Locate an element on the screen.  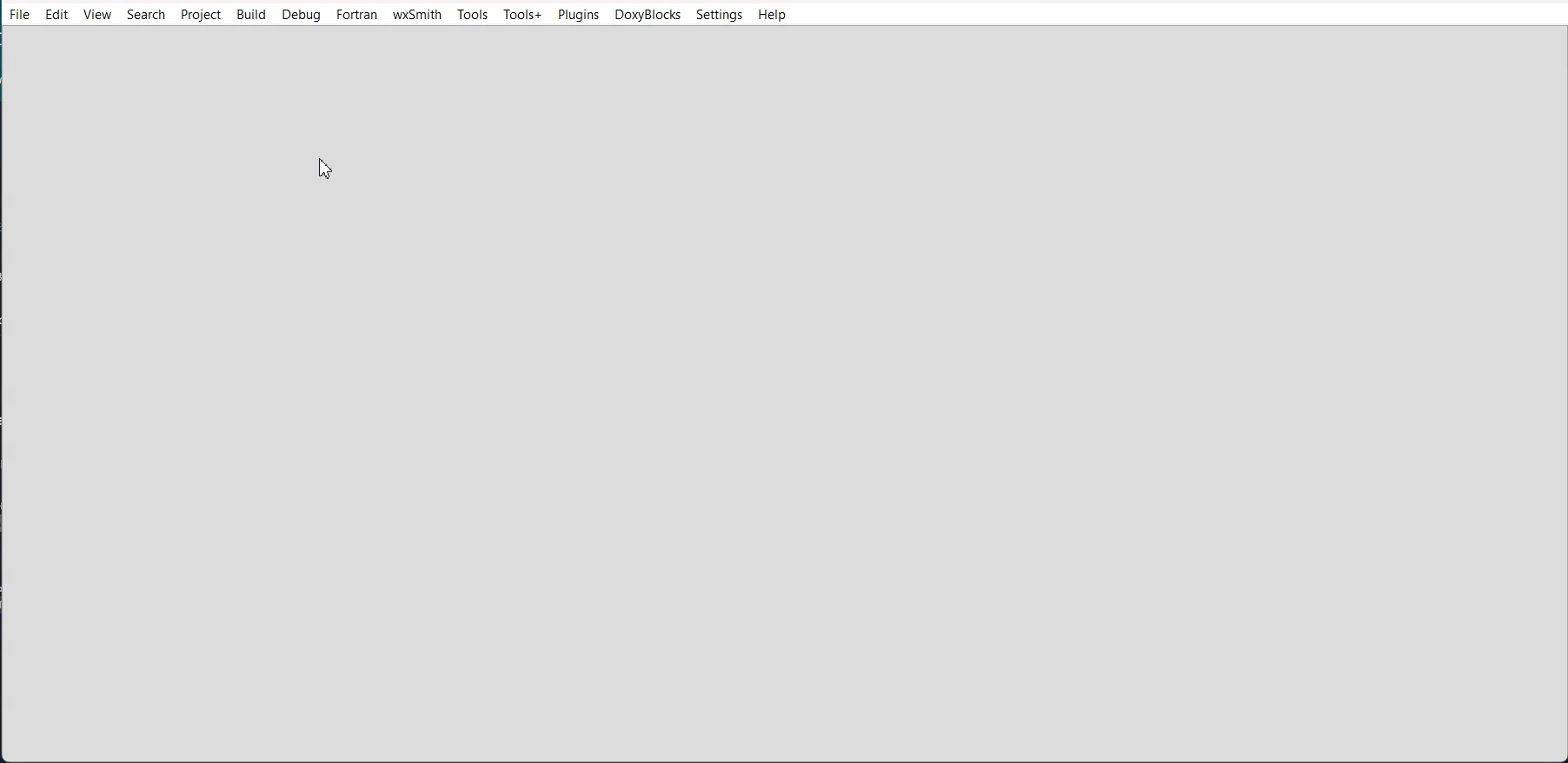
wxSmith is located at coordinates (417, 16).